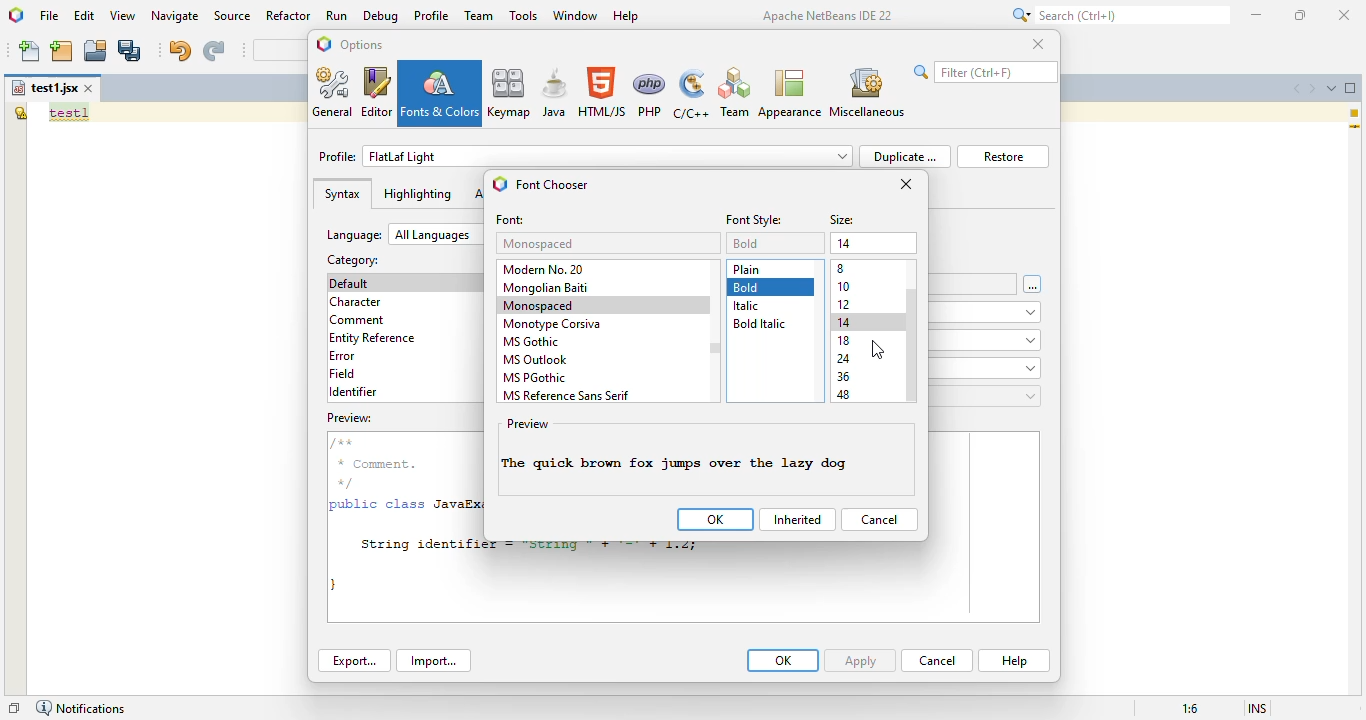  I want to click on modern no. 20, so click(547, 268).